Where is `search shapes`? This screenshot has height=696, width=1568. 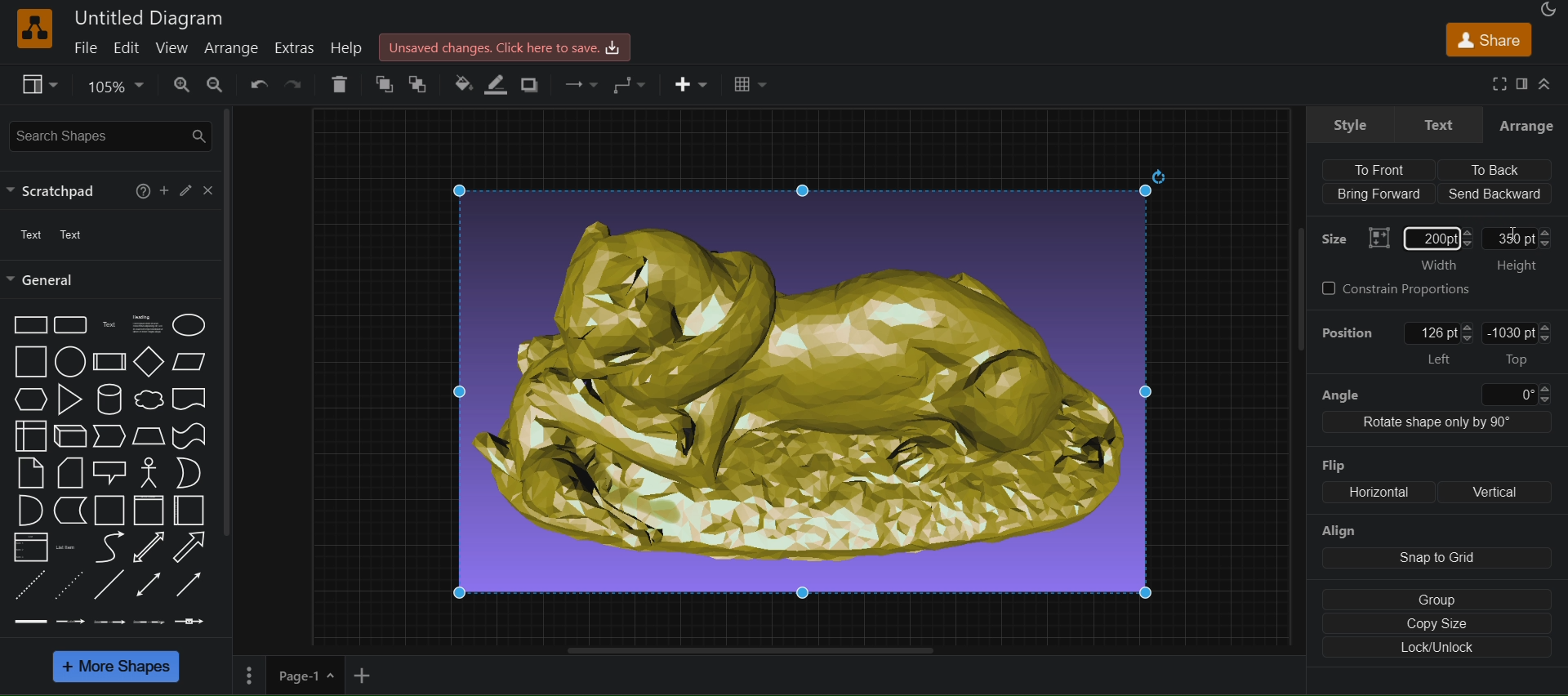
search shapes is located at coordinates (108, 136).